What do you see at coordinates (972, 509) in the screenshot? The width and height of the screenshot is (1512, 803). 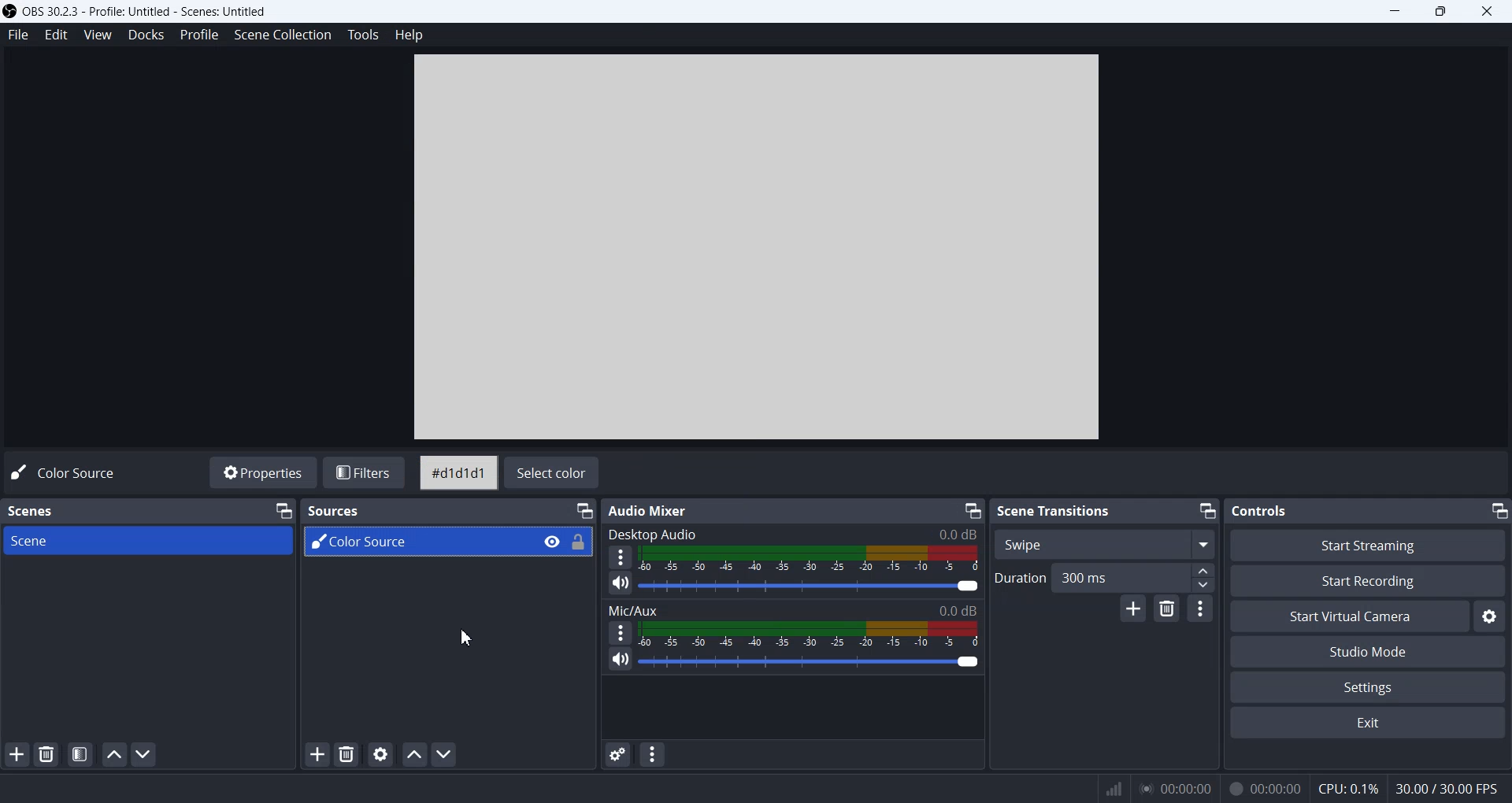 I see `Minimize` at bounding box center [972, 509].